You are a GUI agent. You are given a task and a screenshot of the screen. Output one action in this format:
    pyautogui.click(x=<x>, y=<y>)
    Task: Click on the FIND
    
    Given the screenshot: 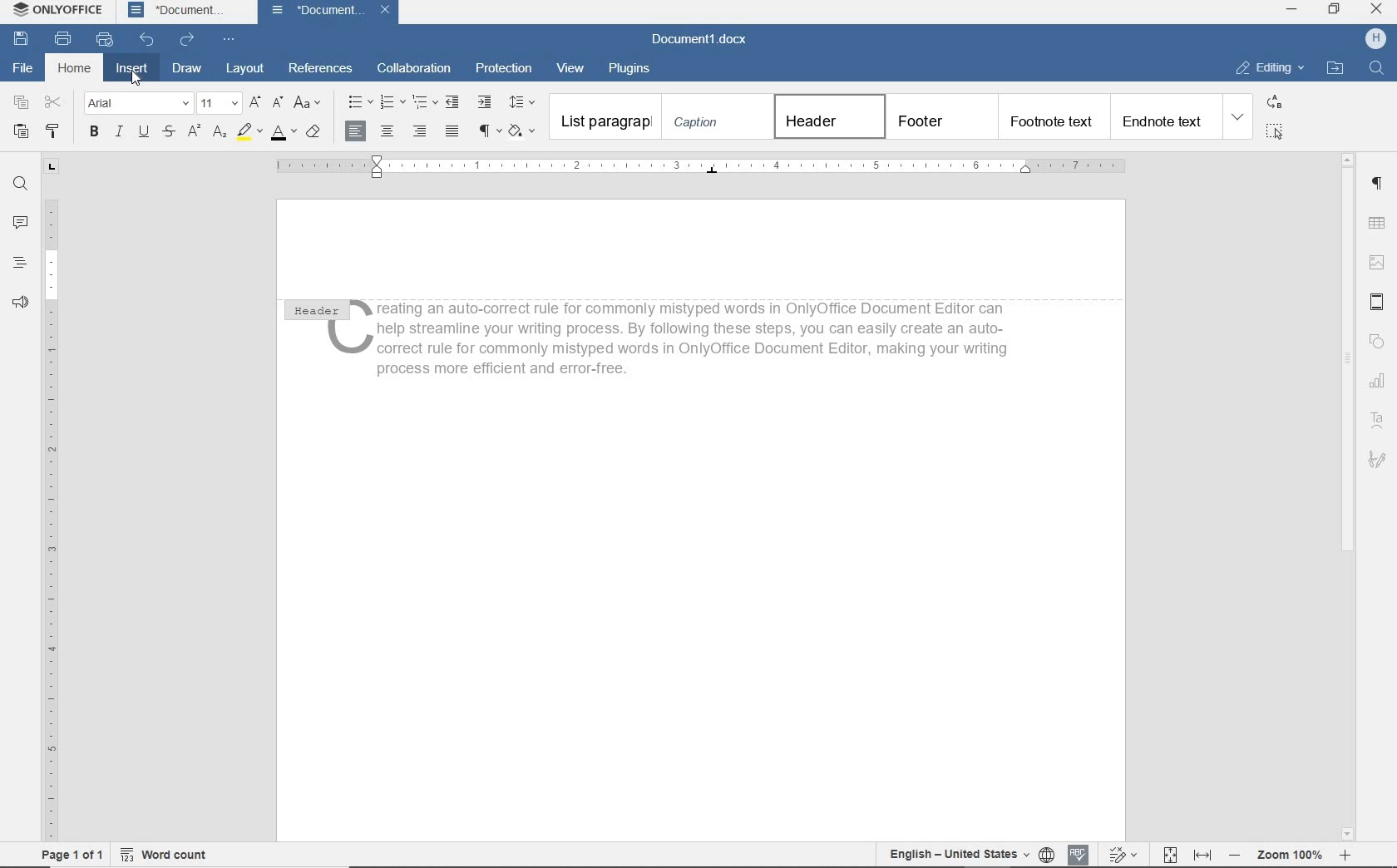 What is the action you would take?
    pyautogui.click(x=19, y=184)
    